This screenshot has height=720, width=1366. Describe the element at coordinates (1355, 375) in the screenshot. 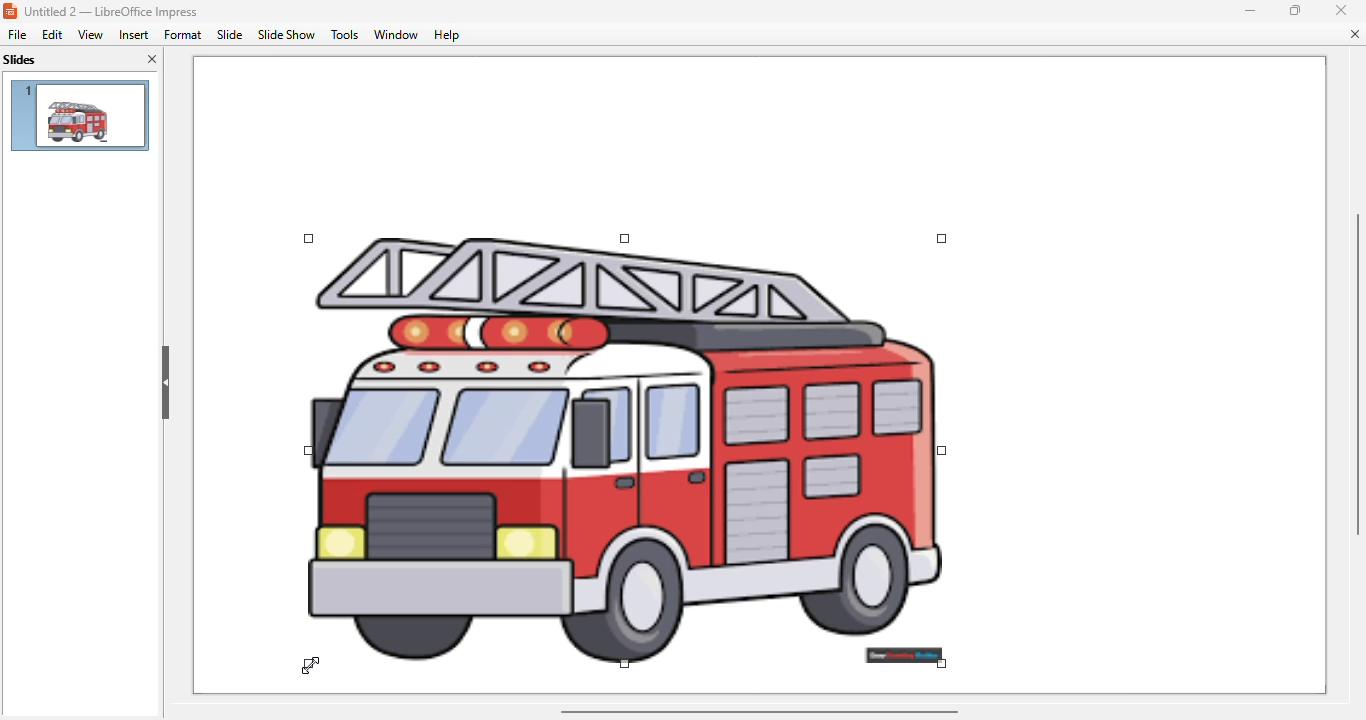

I see `vertical scroll bar` at that location.